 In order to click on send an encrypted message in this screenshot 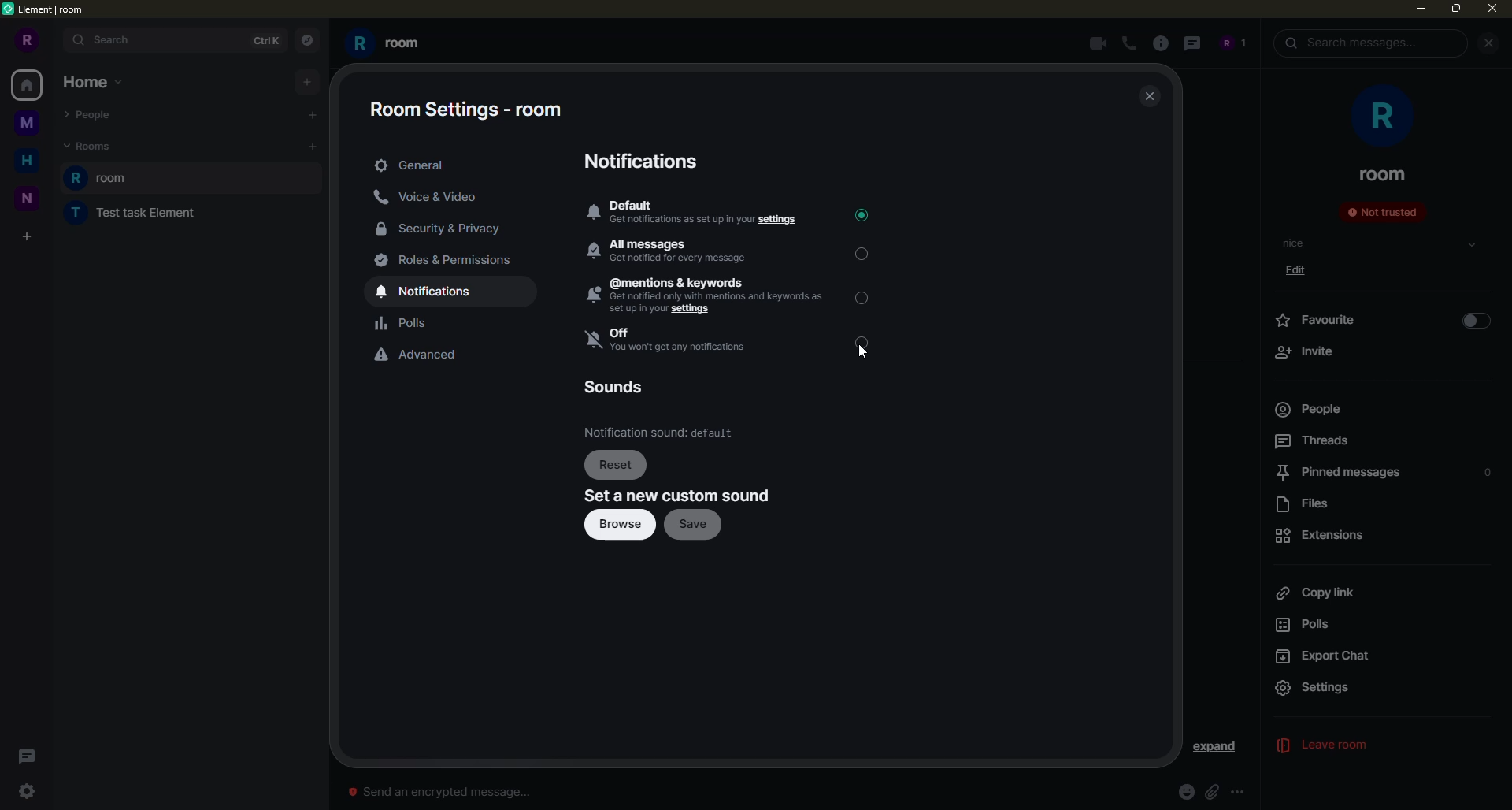, I will do `click(436, 792)`.